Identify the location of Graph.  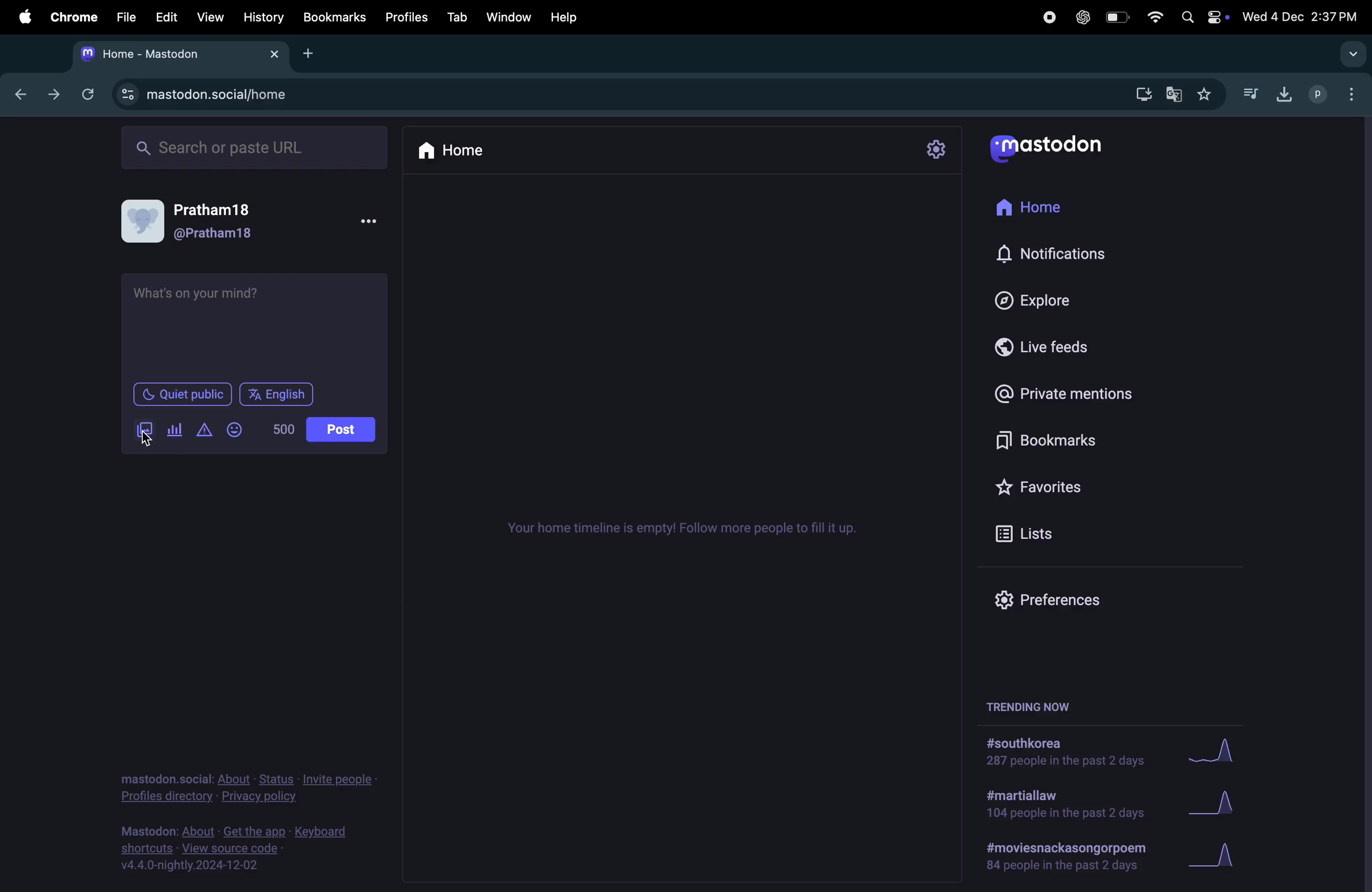
(1215, 806).